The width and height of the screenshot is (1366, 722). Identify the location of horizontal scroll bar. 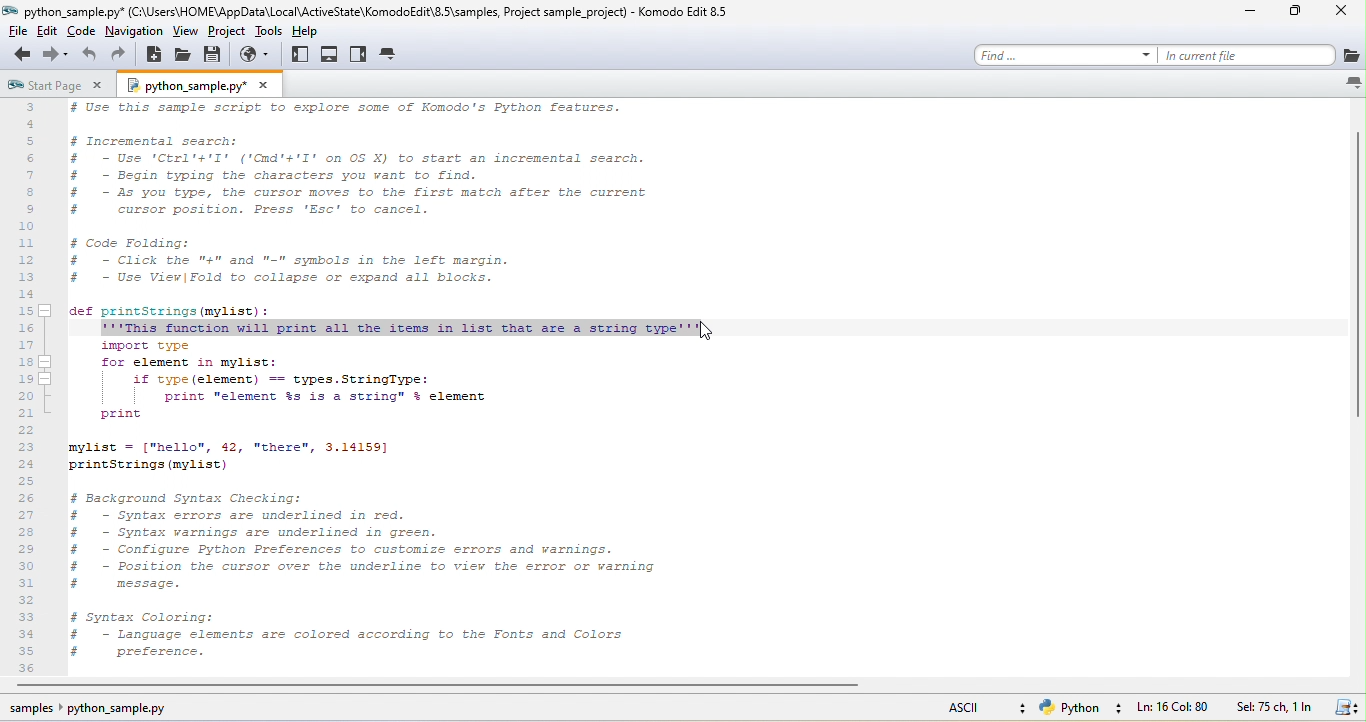
(433, 686).